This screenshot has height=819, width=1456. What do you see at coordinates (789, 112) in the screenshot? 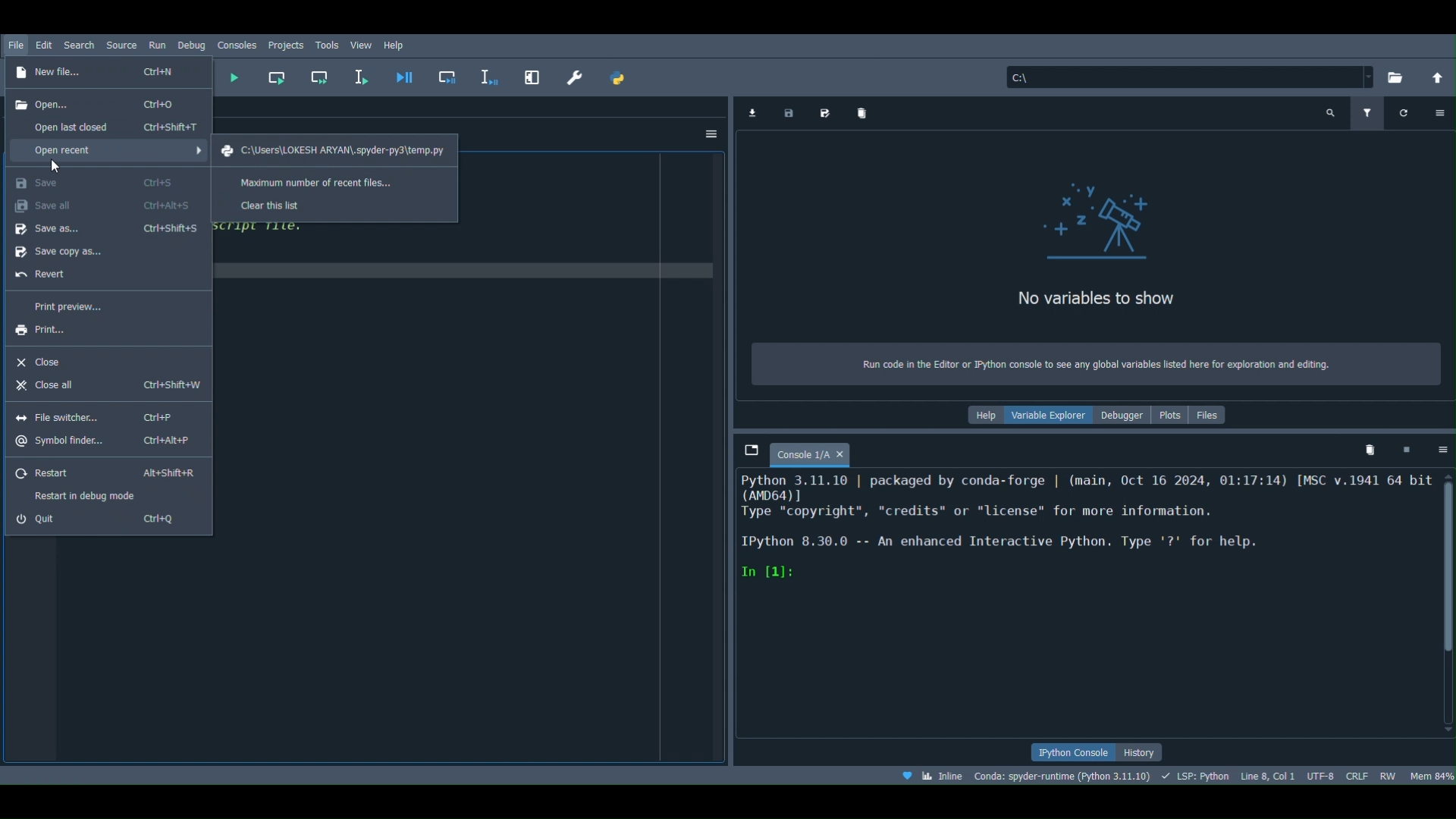
I see `Save data` at bounding box center [789, 112].